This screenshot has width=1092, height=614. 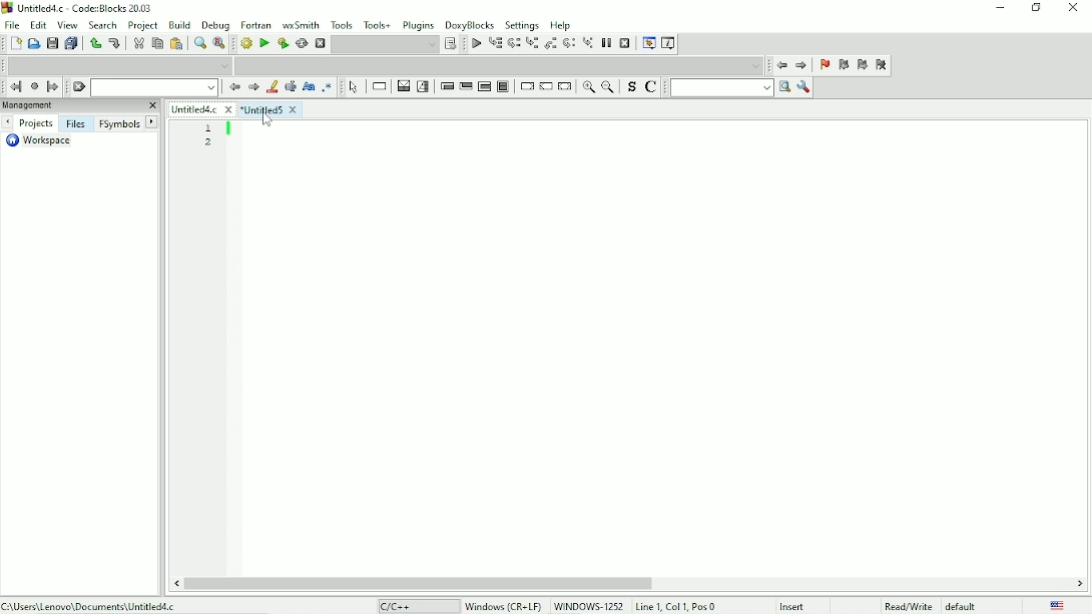 What do you see at coordinates (15, 43) in the screenshot?
I see `New file` at bounding box center [15, 43].